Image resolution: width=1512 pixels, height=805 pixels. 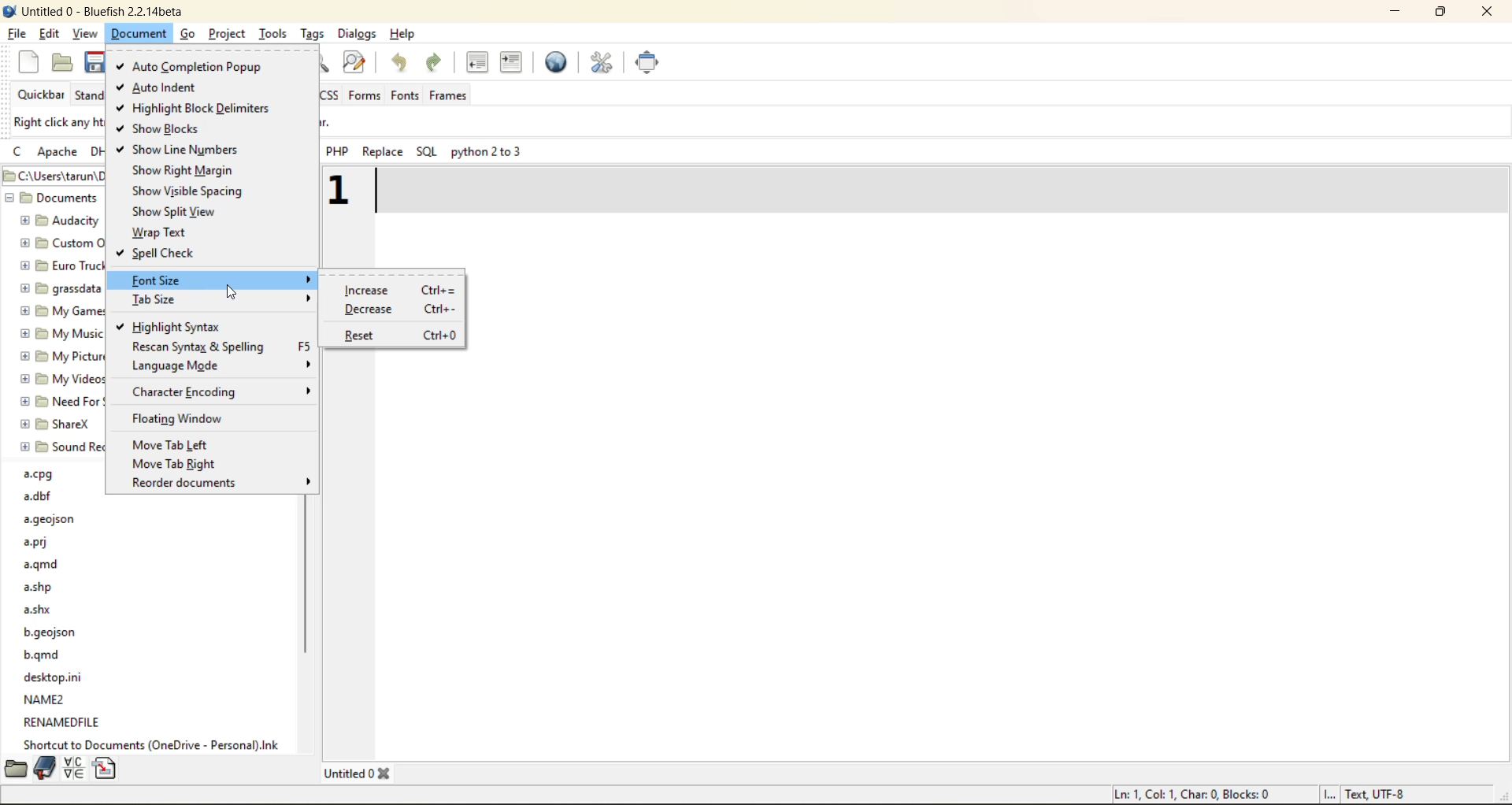 I want to click on full screen, so click(x=655, y=61).